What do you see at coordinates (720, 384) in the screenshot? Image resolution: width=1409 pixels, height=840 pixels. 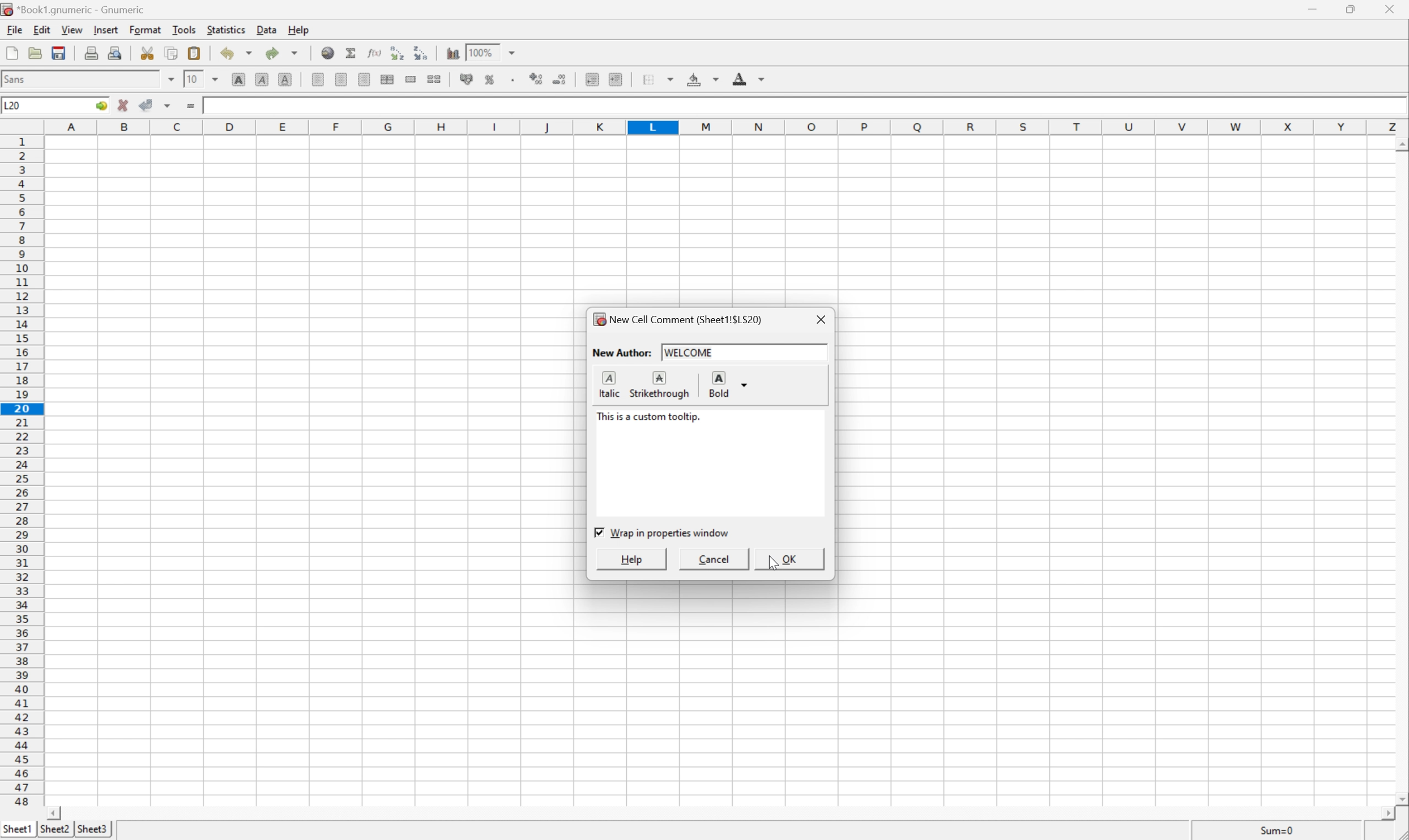 I see `Bold` at bounding box center [720, 384].